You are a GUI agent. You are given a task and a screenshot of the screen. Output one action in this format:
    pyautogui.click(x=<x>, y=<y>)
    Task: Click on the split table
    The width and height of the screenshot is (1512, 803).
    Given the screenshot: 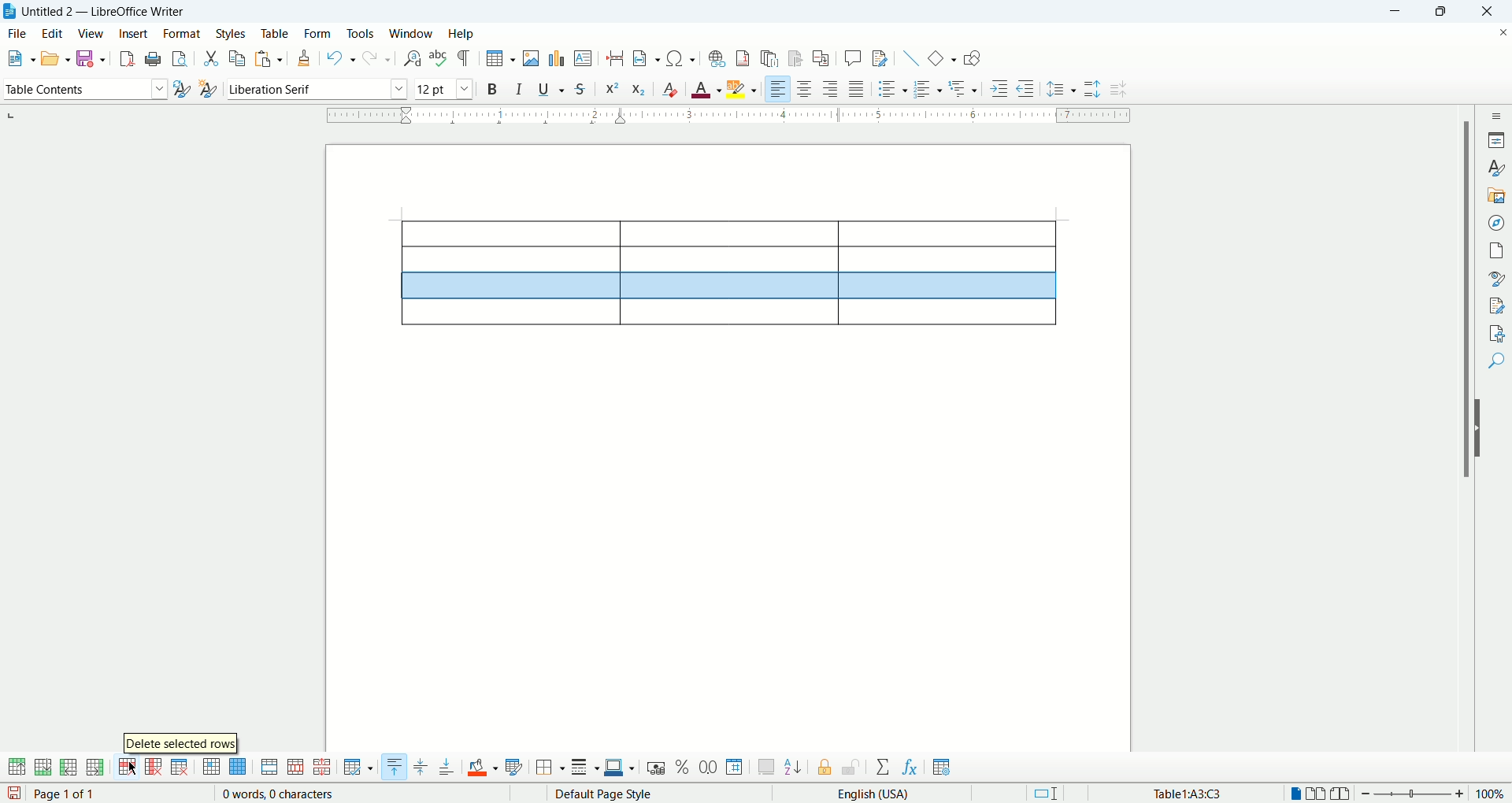 What is the action you would take?
    pyautogui.click(x=321, y=768)
    